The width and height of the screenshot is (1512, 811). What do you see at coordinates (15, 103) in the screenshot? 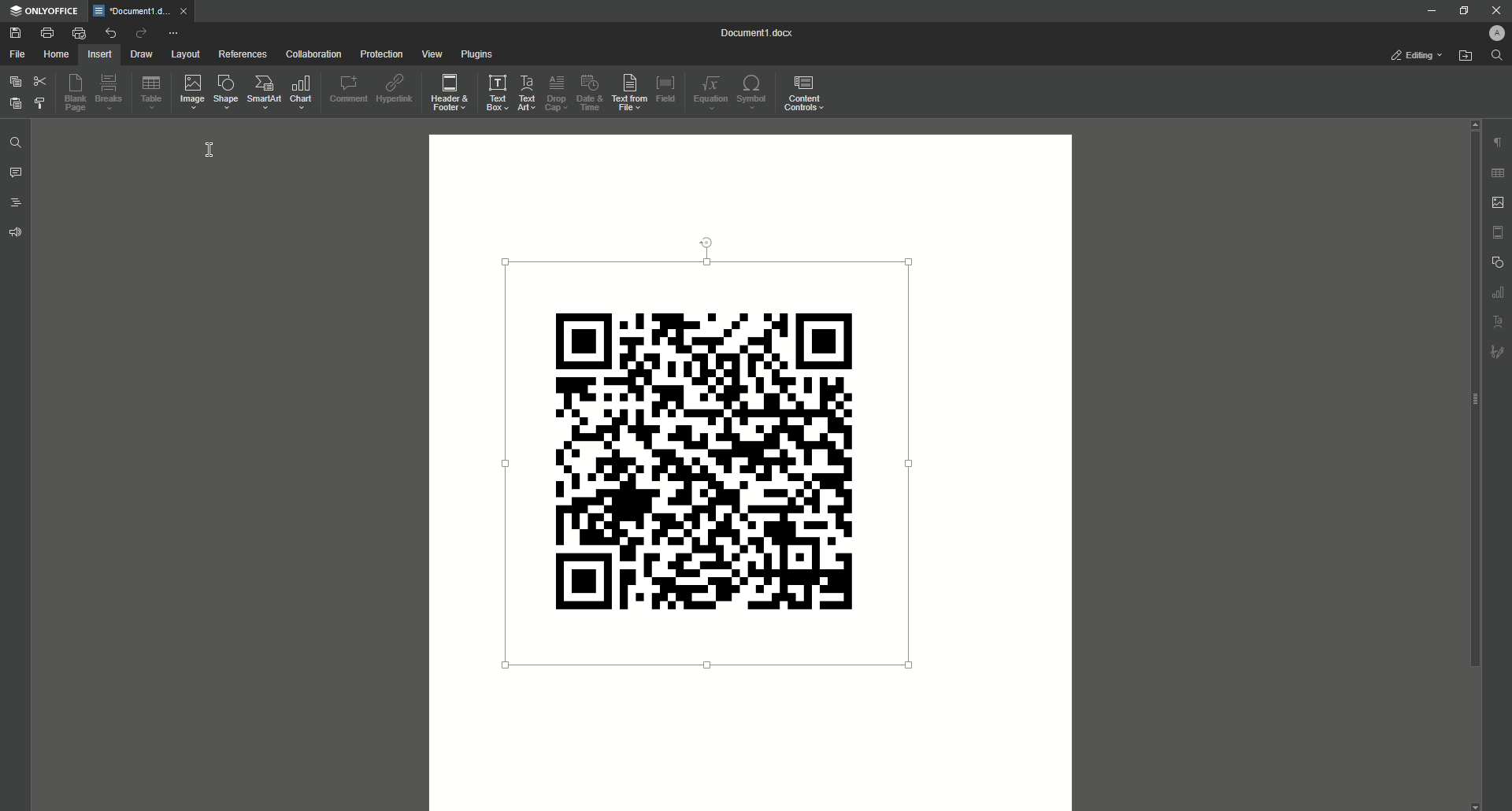
I see `Paste` at bounding box center [15, 103].